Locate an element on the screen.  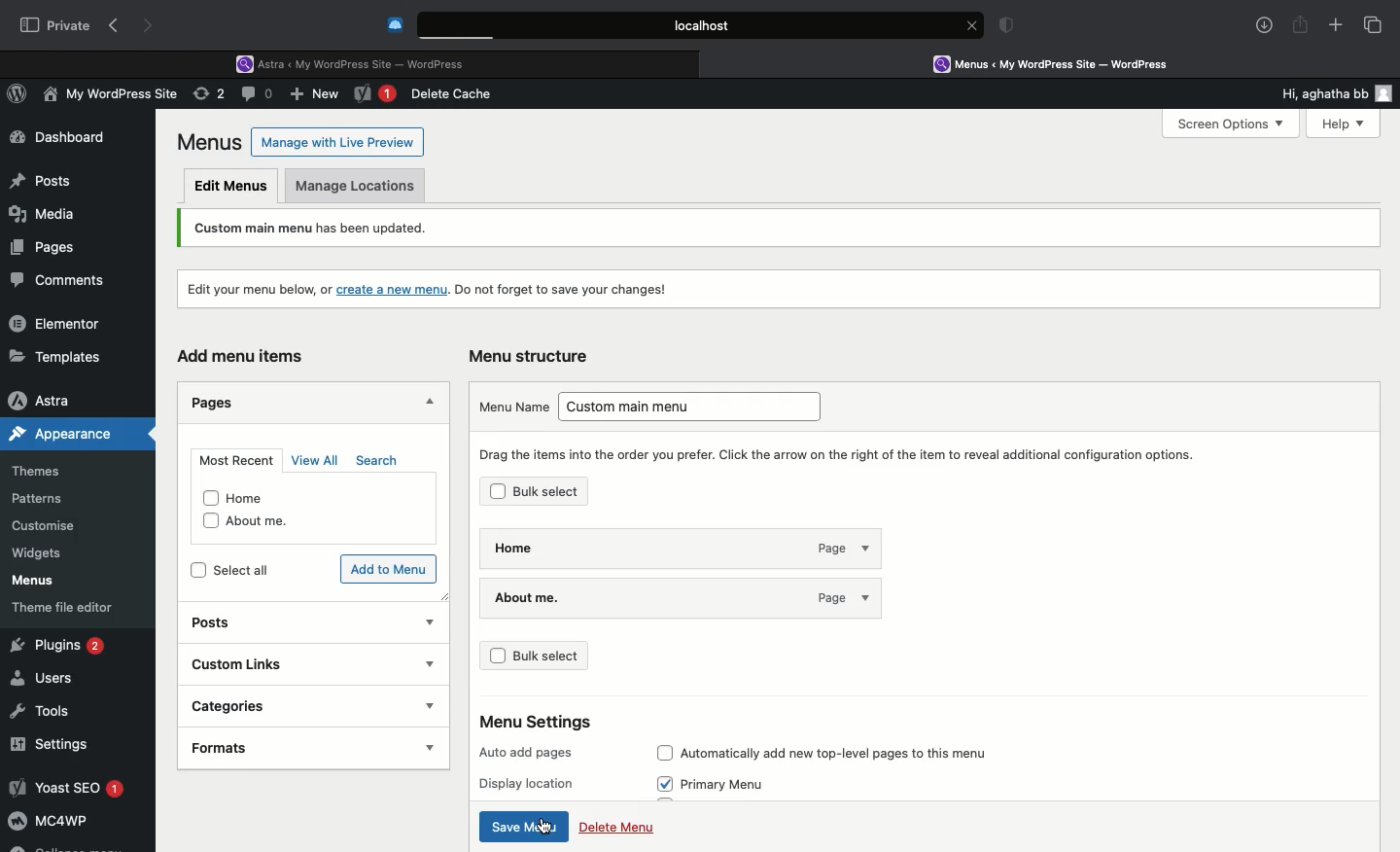
Menus is located at coordinates (30, 581).